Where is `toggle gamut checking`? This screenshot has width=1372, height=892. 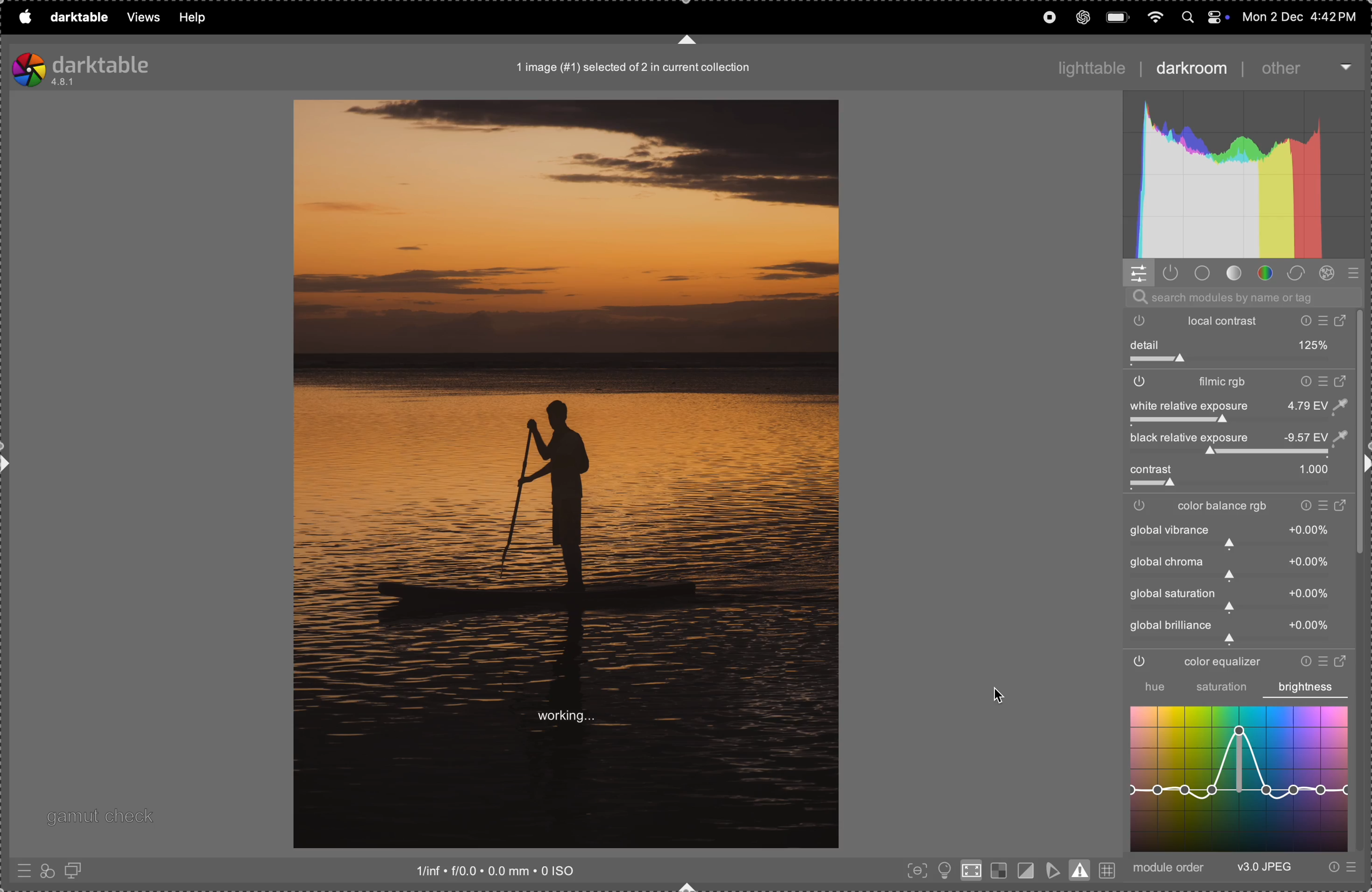
toggle gamut checking is located at coordinates (1081, 870).